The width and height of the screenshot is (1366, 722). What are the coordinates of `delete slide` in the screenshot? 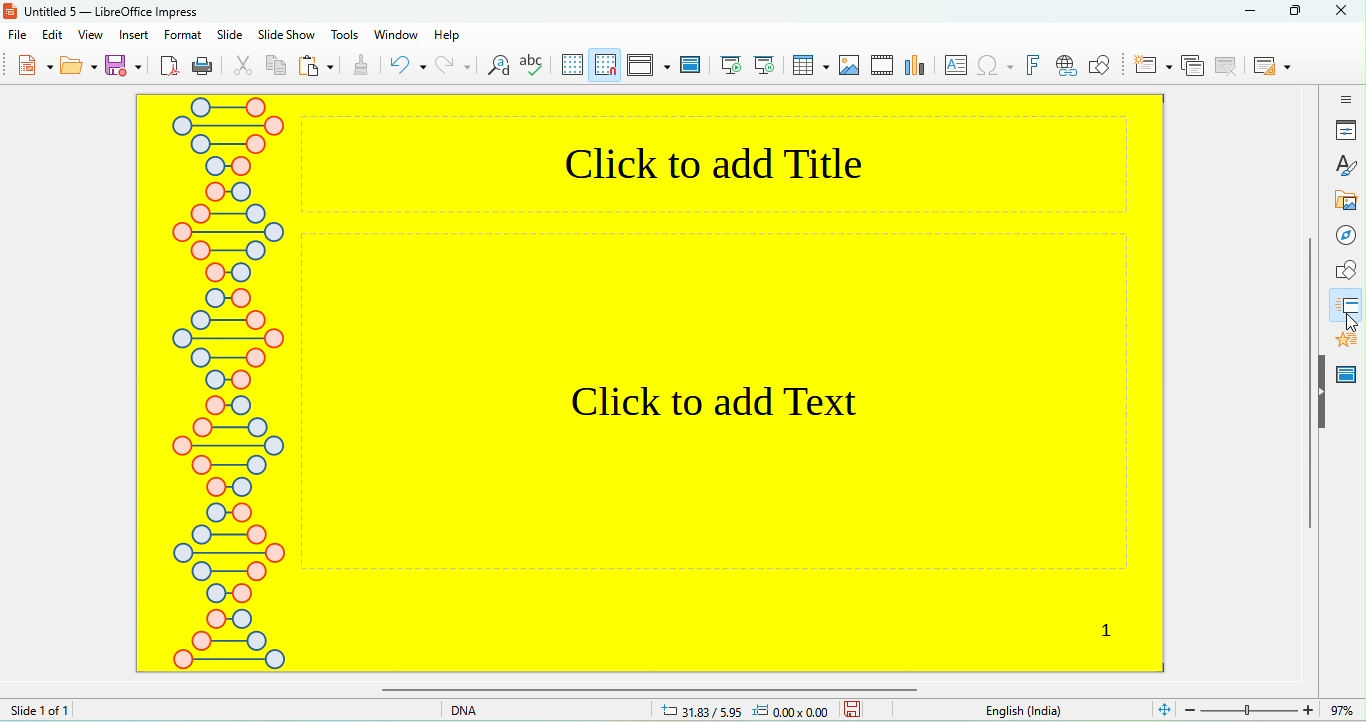 It's located at (1226, 67).